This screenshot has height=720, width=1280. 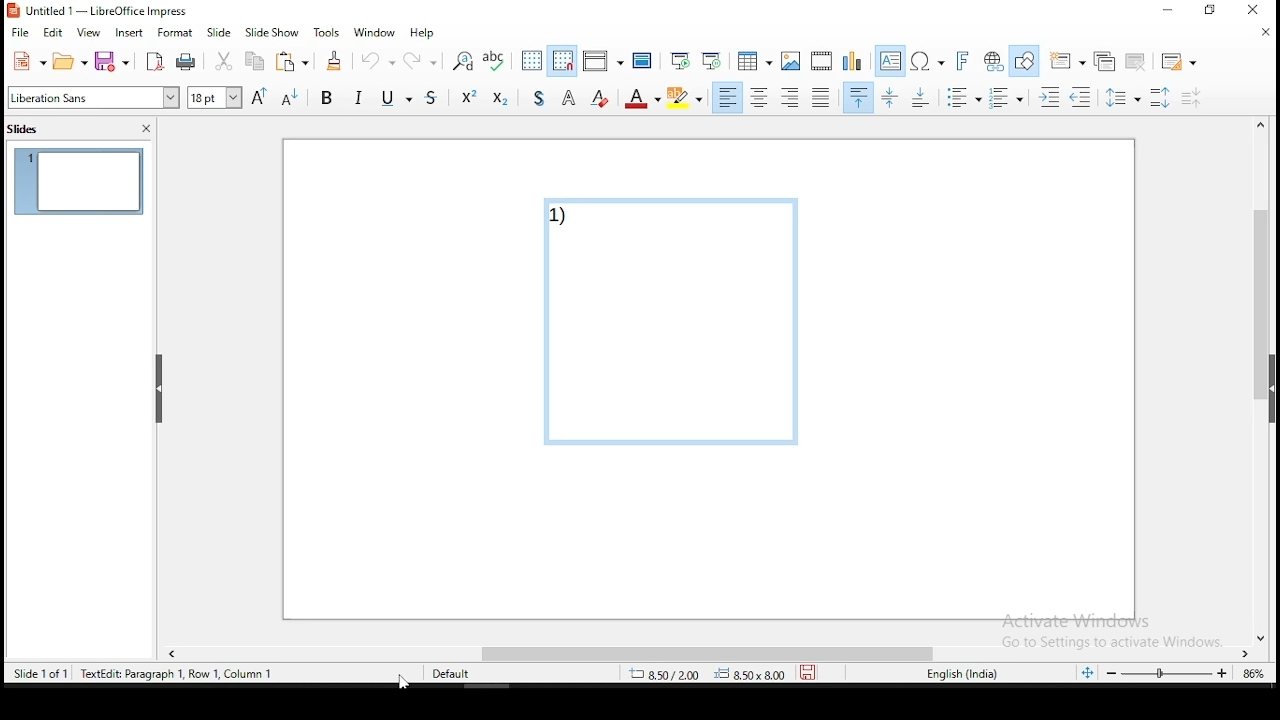 I want to click on clone formatting, so click(x=334, y=60).